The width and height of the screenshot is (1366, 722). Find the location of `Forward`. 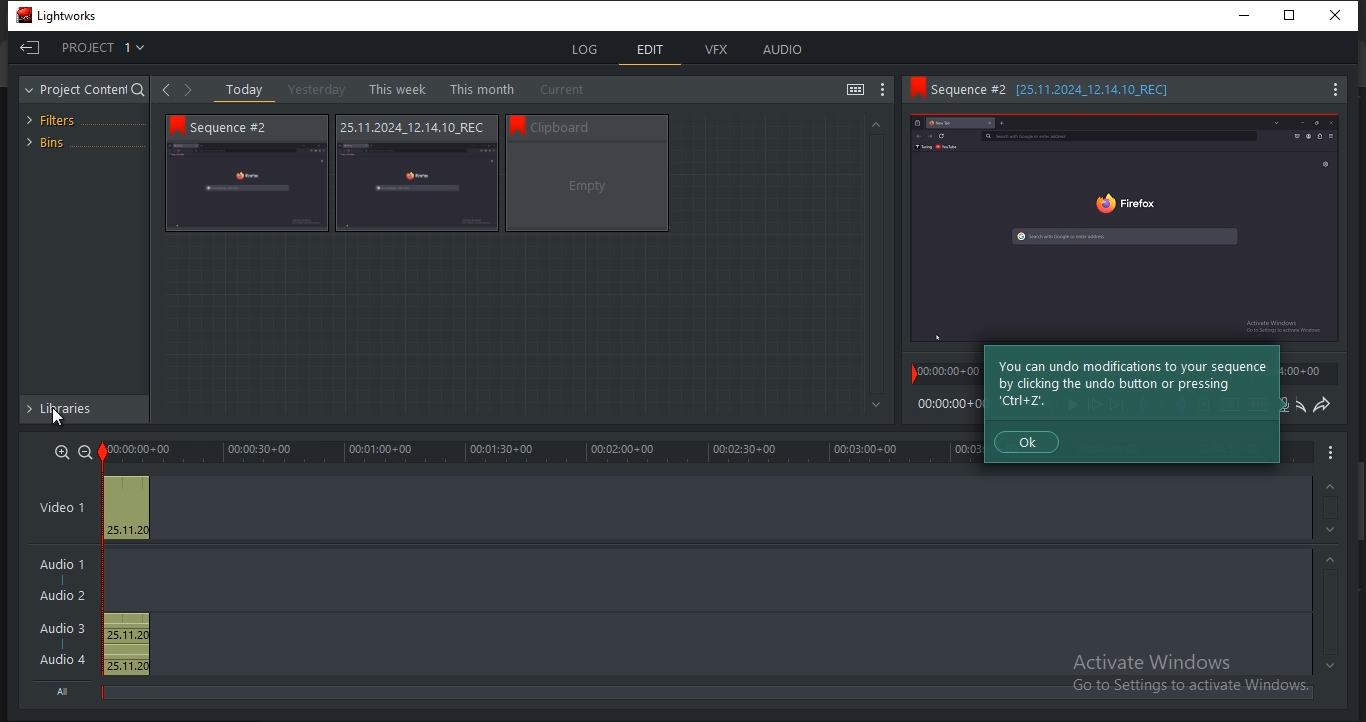

Forward is located at coordinates (186, 93).